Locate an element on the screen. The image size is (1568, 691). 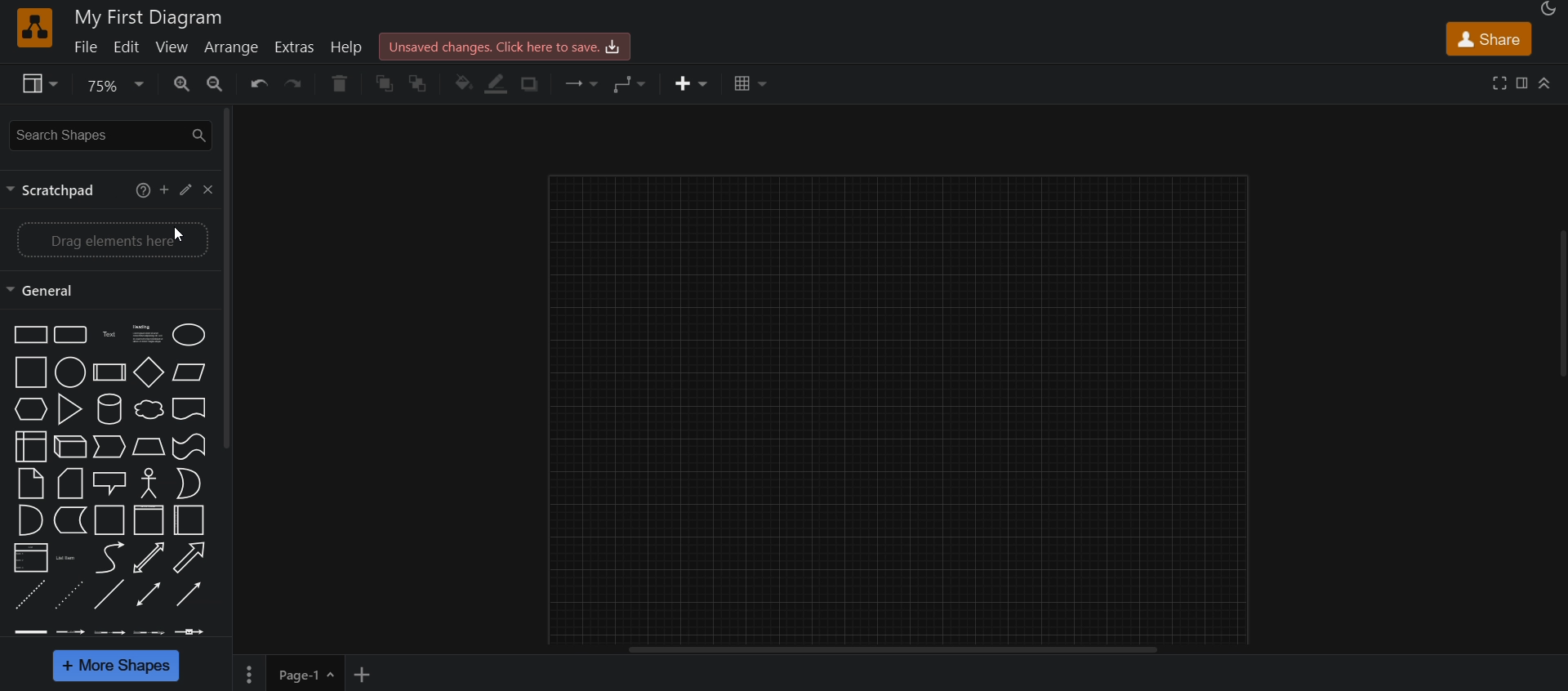
format is located at coordinates (1521, 83).